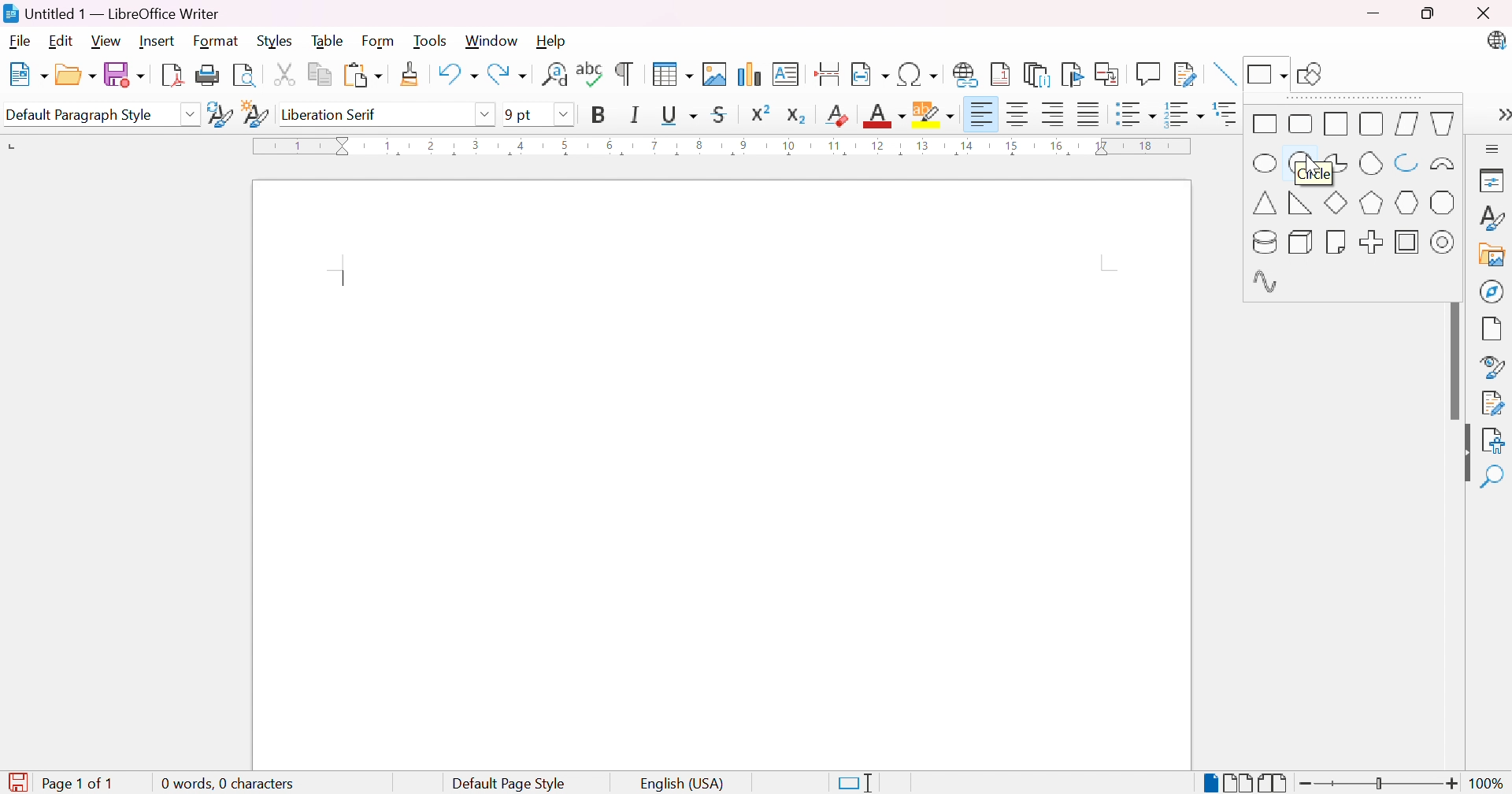 This screenshot has height=794, width=1512. Describe the element at coordinates (125, 74) in the screenshot. I see `Save` at that location.